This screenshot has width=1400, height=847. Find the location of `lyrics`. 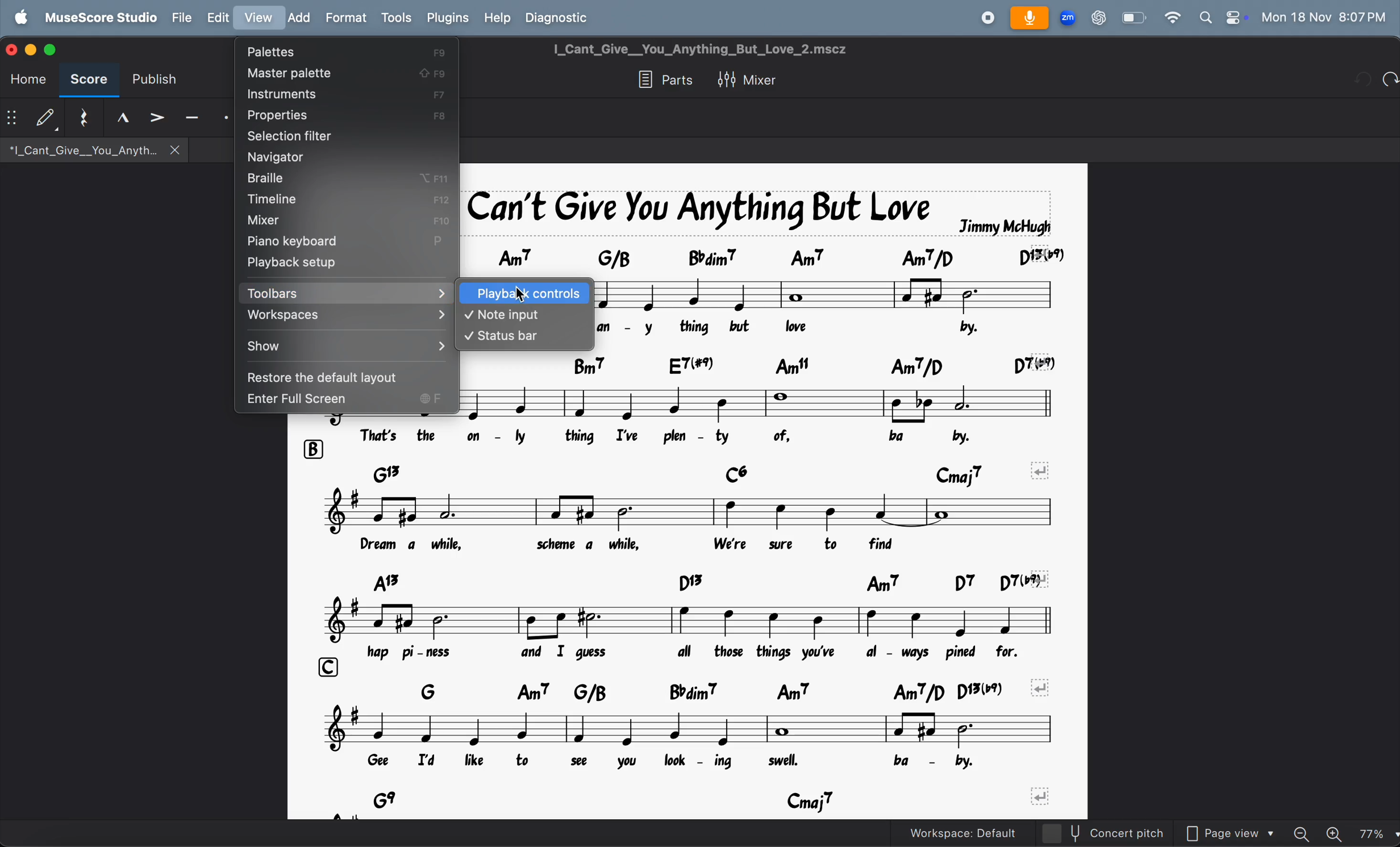

lyrics is located at coordinates (711, 653).